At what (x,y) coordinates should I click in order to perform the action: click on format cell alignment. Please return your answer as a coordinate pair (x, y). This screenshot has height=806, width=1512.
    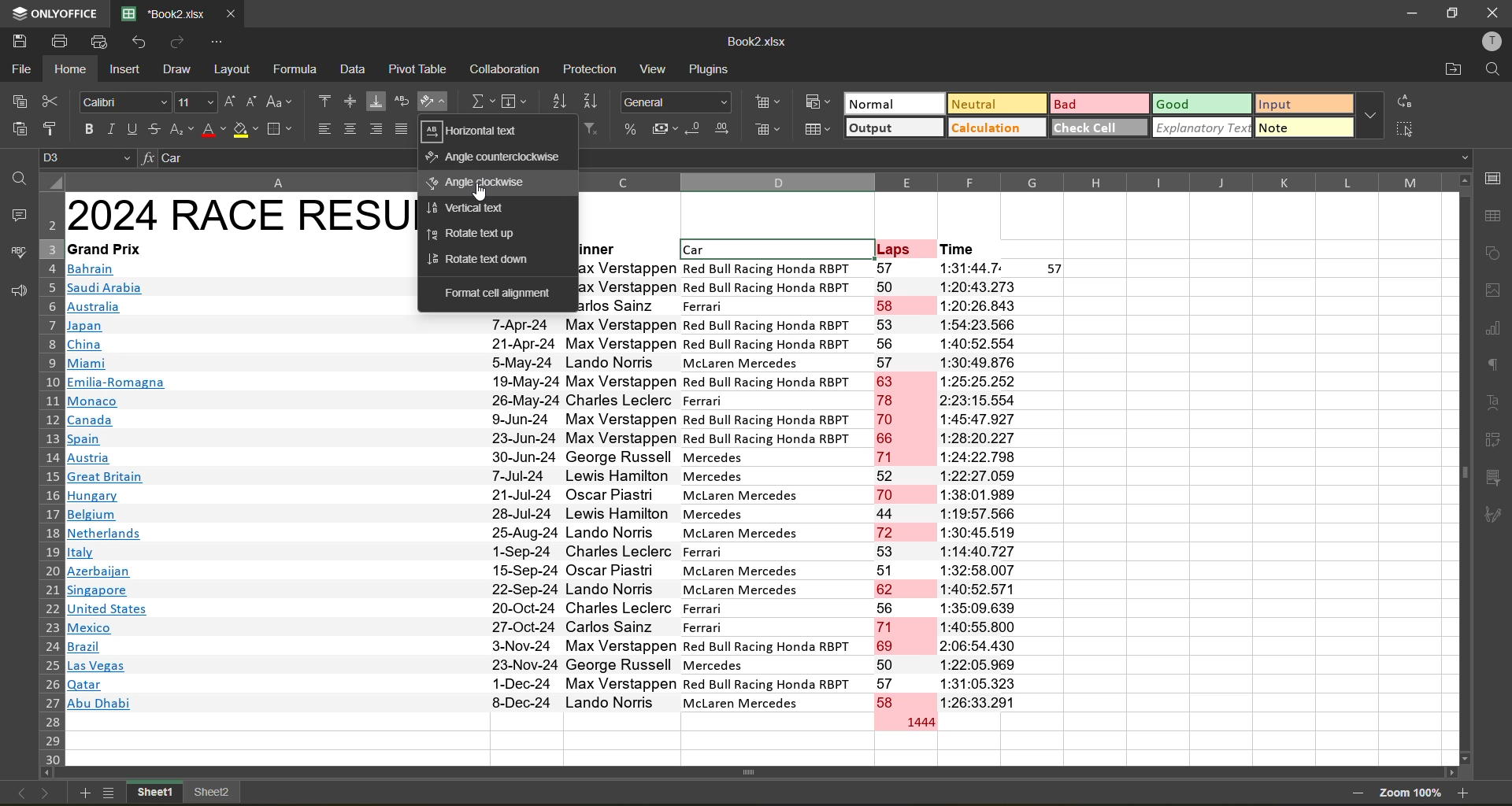
    Looking at the image, I should click on (499, 296).